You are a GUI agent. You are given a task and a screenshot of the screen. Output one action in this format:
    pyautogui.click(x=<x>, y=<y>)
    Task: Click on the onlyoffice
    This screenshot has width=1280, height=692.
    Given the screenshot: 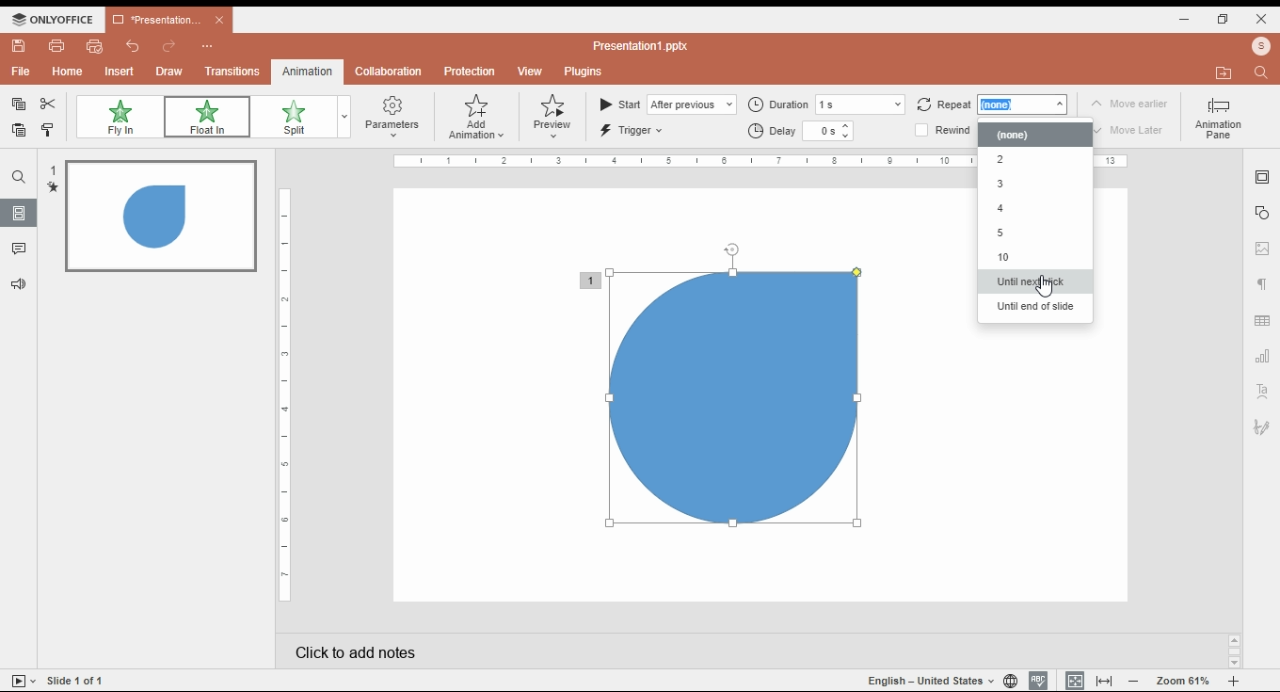 What is the action you would take?
    pyautogui.click(x=50, y=19)
    